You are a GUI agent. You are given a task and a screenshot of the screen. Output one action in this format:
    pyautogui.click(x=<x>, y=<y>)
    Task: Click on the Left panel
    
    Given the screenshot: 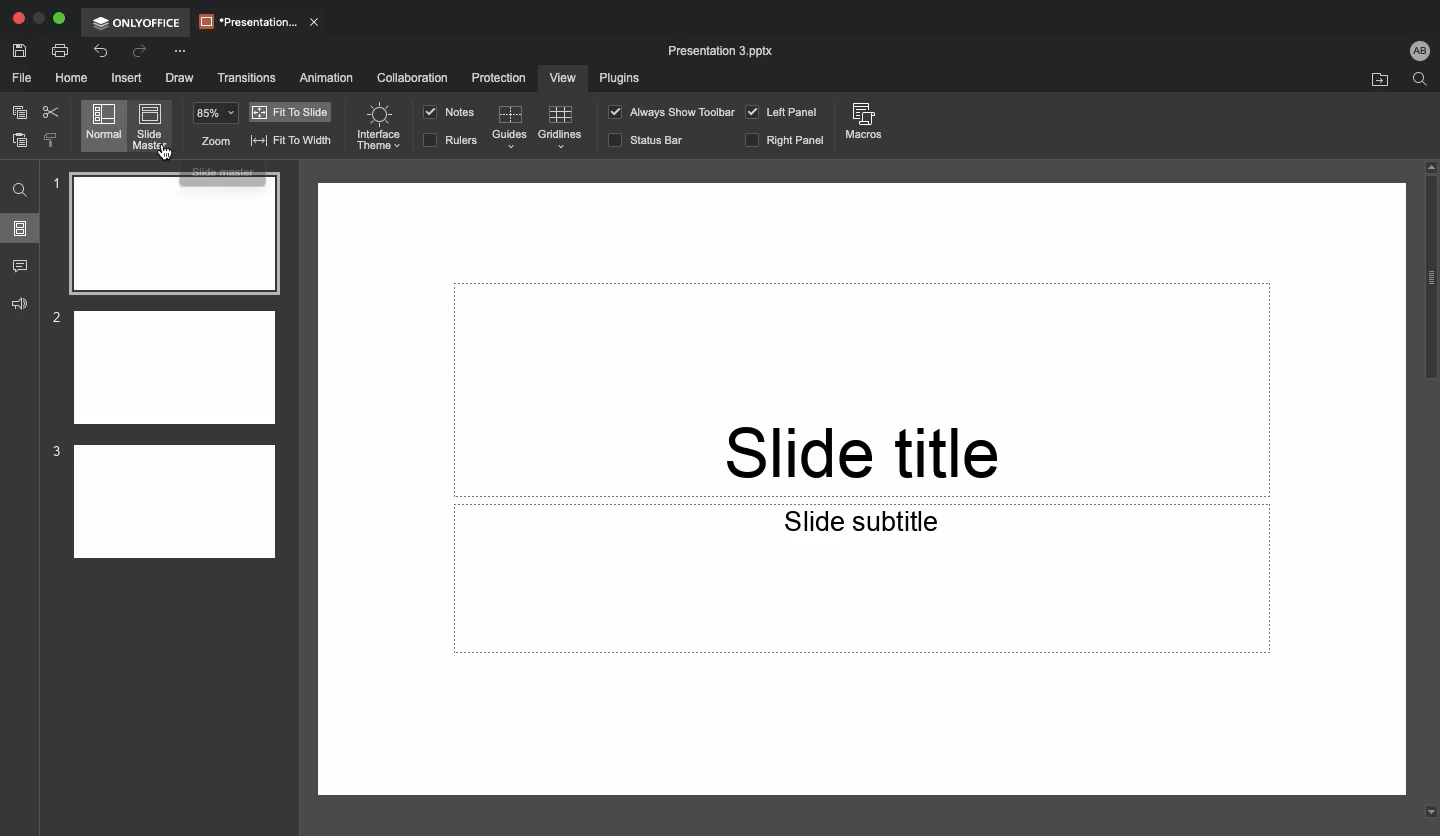 What is the action you would take?
    pyautogui.click(x=778, y=112)
    